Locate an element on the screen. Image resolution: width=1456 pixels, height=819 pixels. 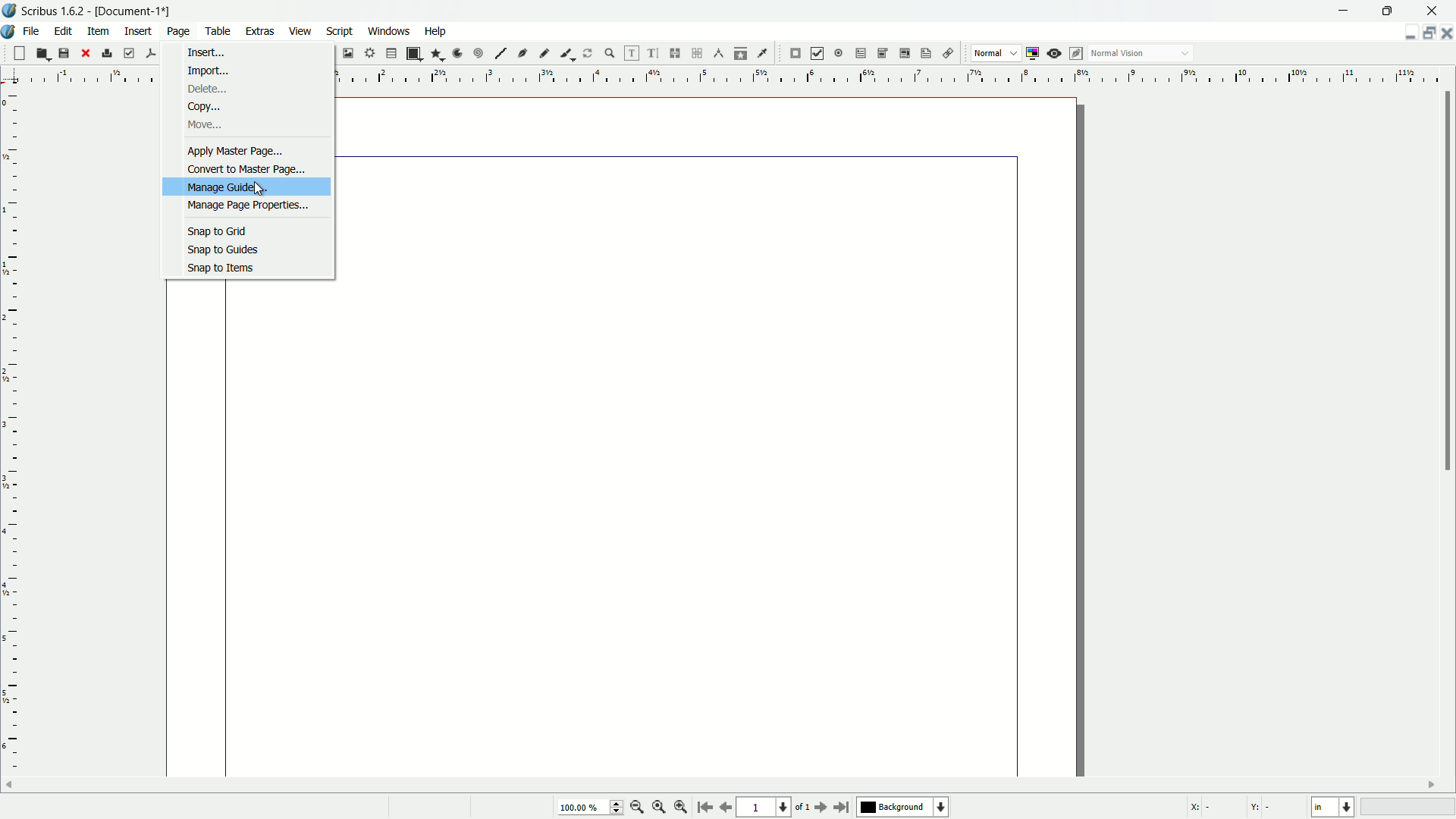
guide manager is located at coordinates (1405, 33).